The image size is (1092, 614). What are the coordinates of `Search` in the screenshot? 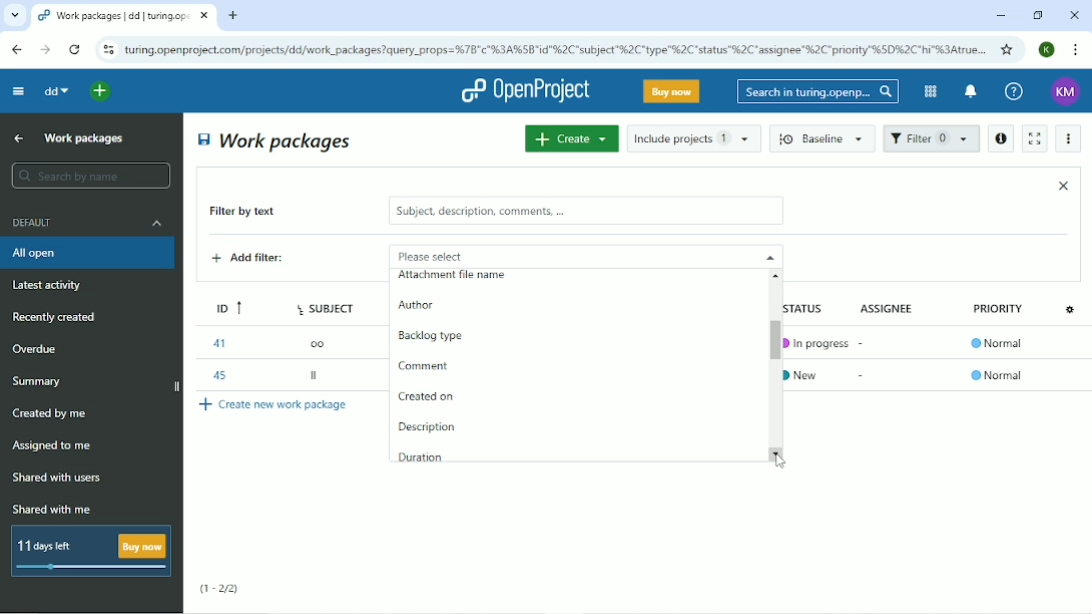 It's located at (818, 91).